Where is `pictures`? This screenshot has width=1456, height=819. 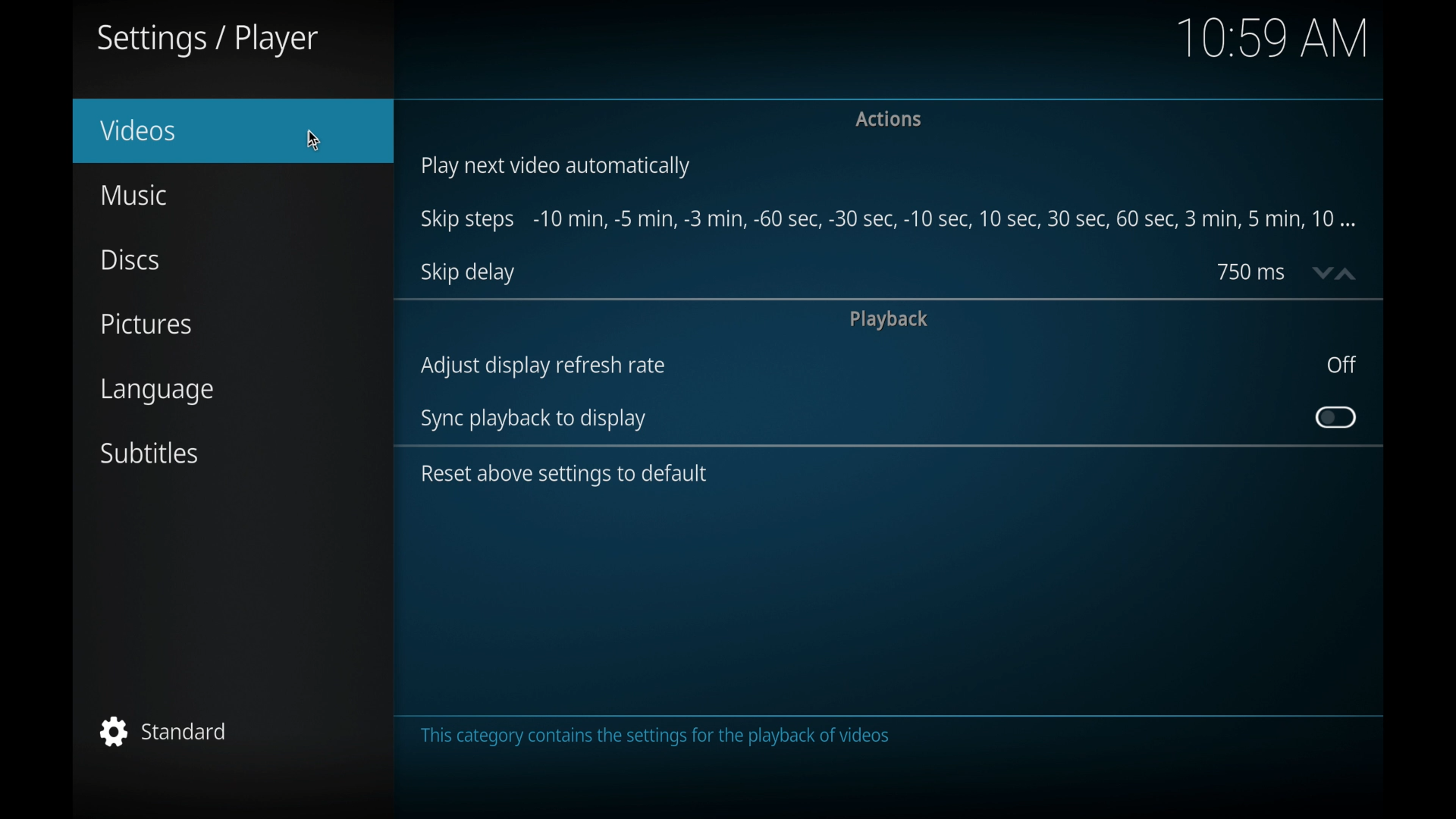 pictures is located at coordinates (146, 325).